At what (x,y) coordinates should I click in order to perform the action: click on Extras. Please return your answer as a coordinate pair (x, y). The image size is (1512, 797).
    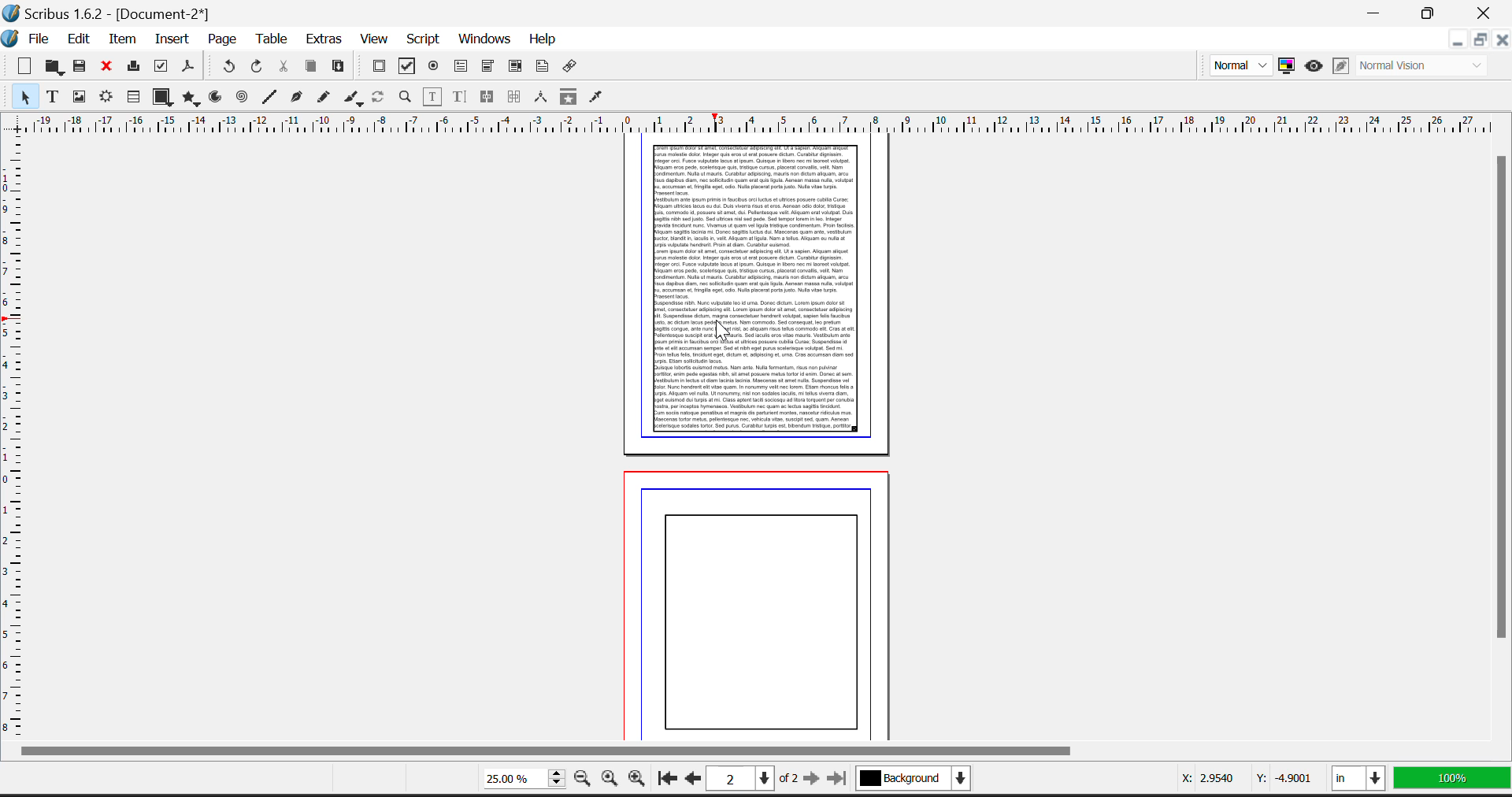
    Looking at the image, I should click on (324, 41).